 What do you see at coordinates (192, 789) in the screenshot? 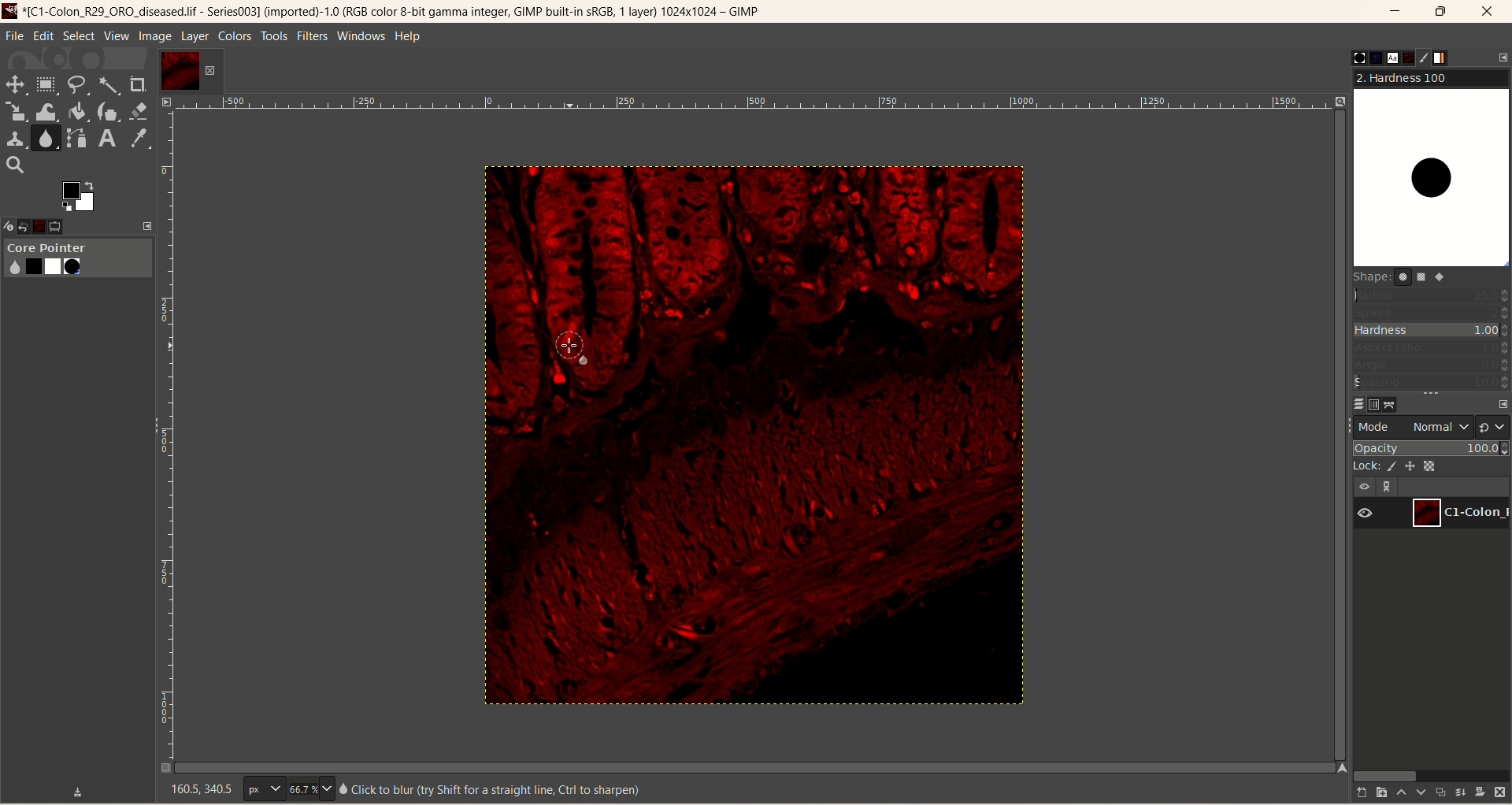
I see `coordinates` at bounding box center [192, 789].